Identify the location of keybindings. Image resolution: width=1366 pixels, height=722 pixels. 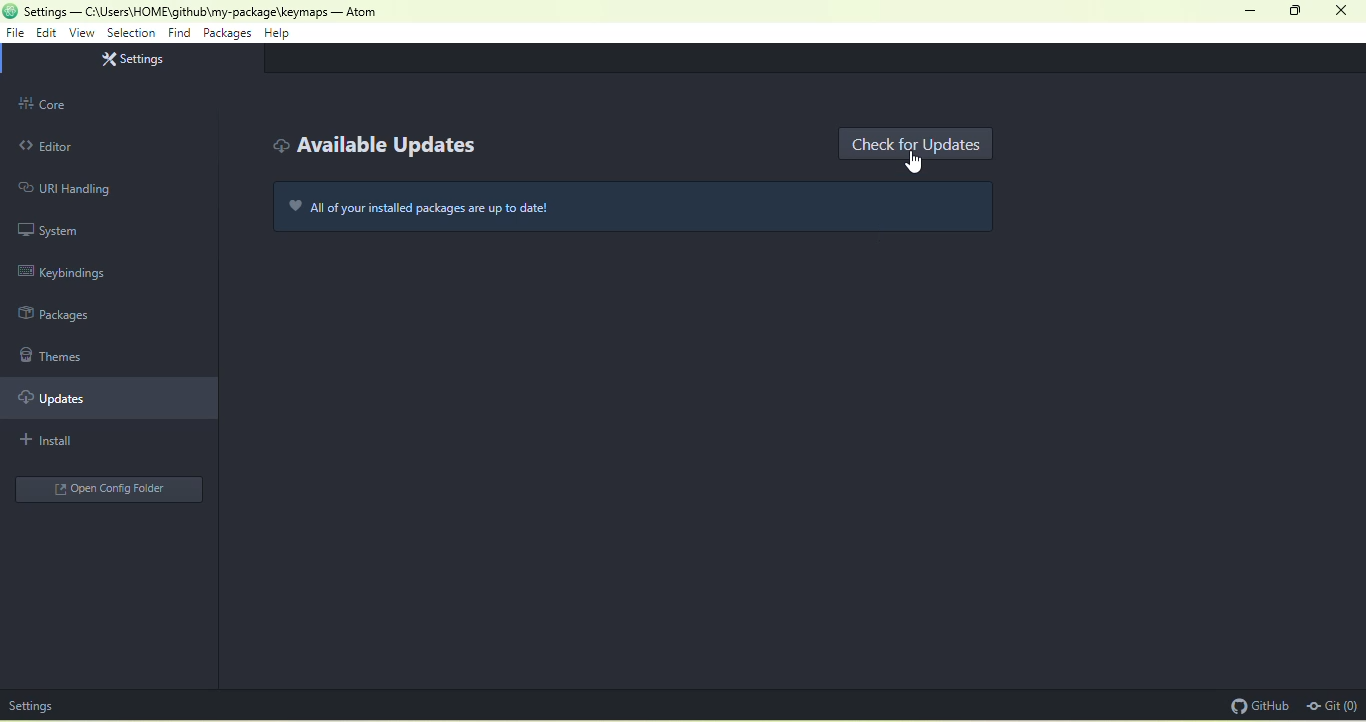
(70, 271).